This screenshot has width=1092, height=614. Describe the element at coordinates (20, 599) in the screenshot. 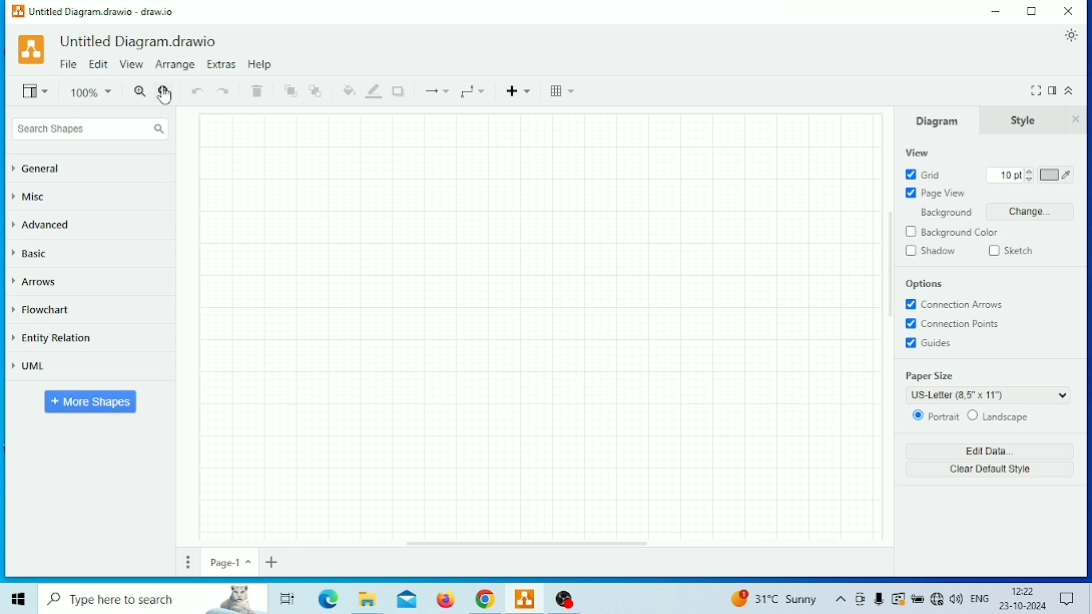

I see `Windows` at that location.